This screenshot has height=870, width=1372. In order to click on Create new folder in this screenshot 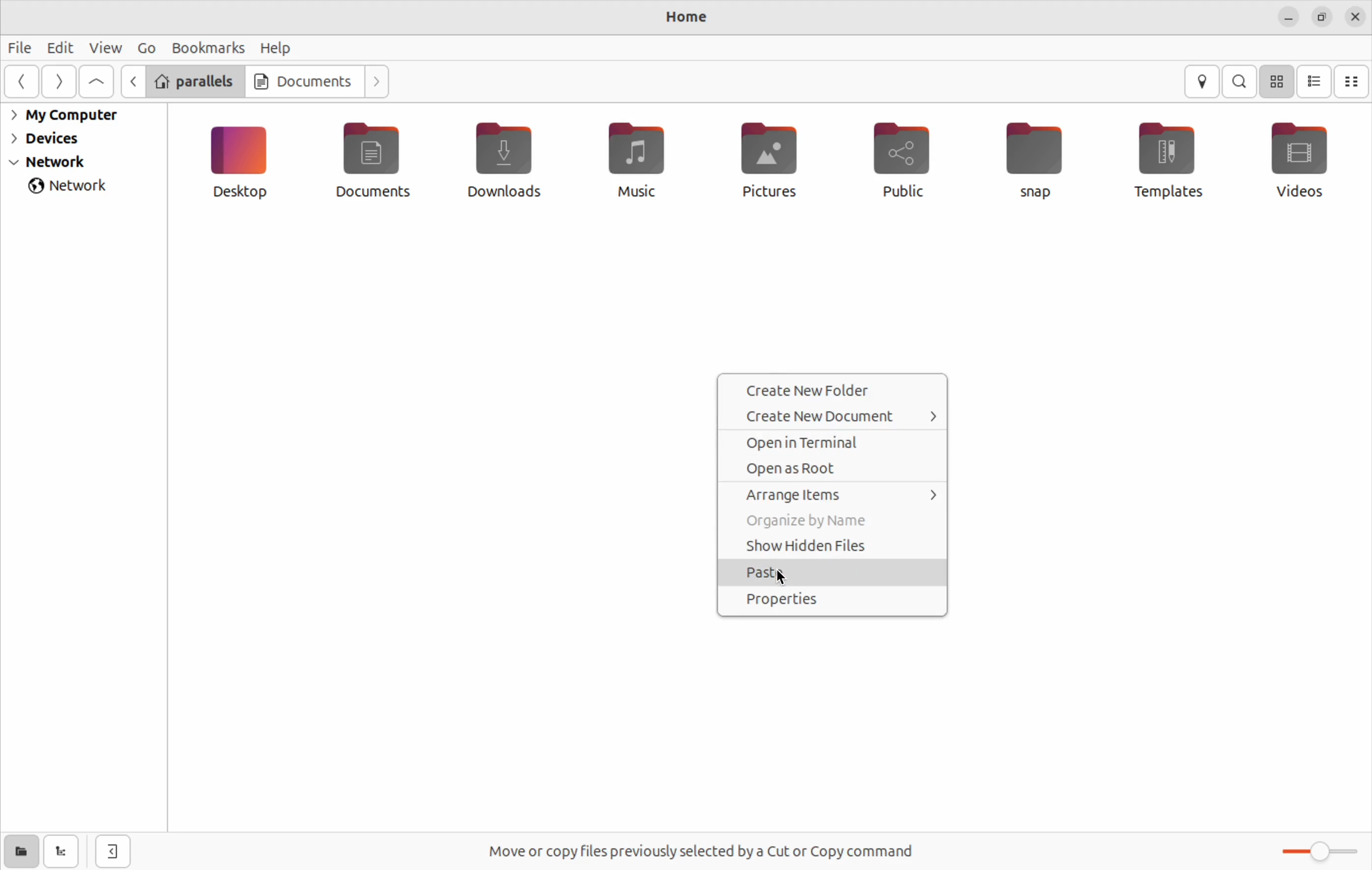, I will do `click(833, 389)`.